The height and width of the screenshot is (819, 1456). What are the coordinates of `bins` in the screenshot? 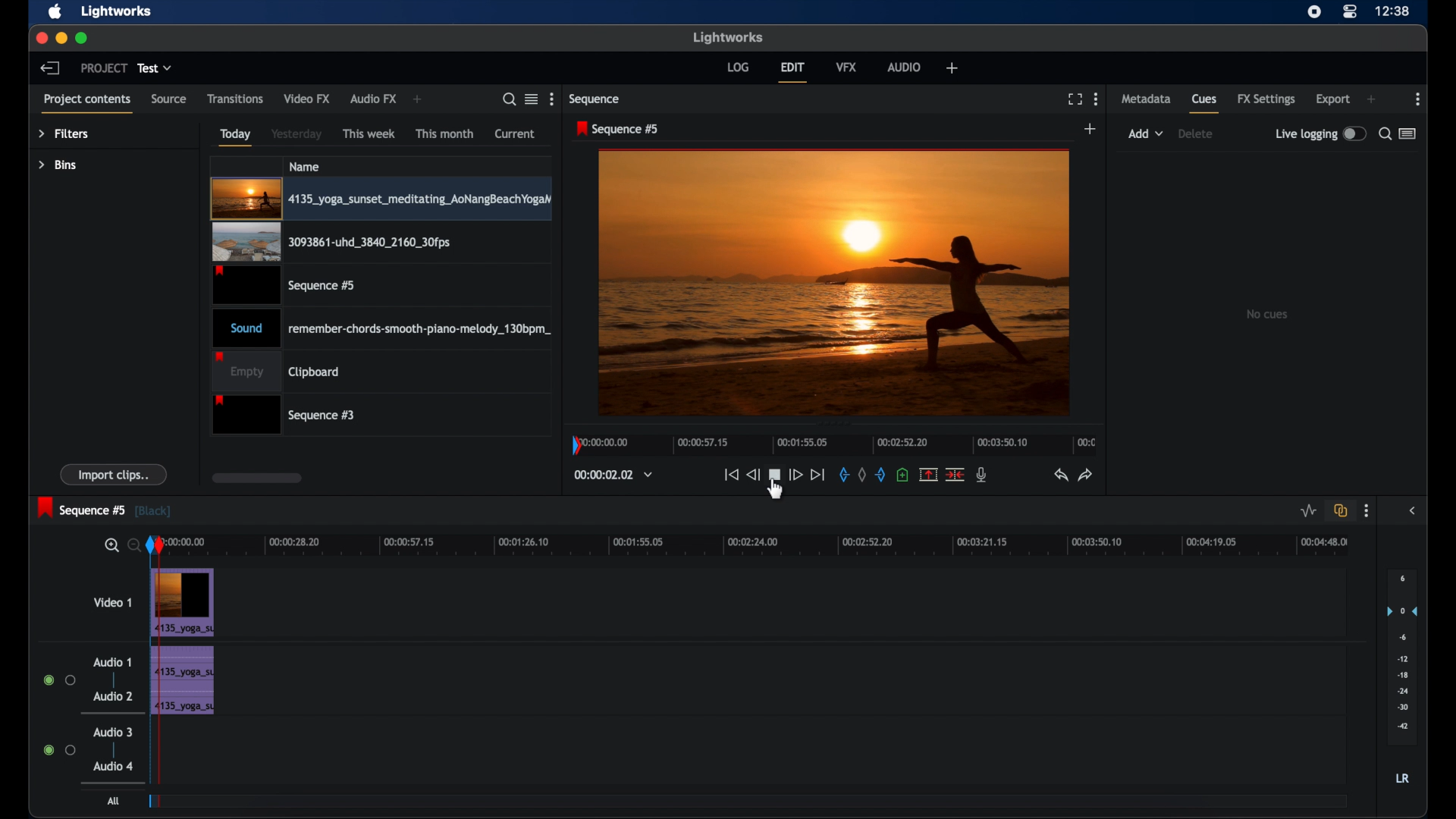 It's located at (58, 165).